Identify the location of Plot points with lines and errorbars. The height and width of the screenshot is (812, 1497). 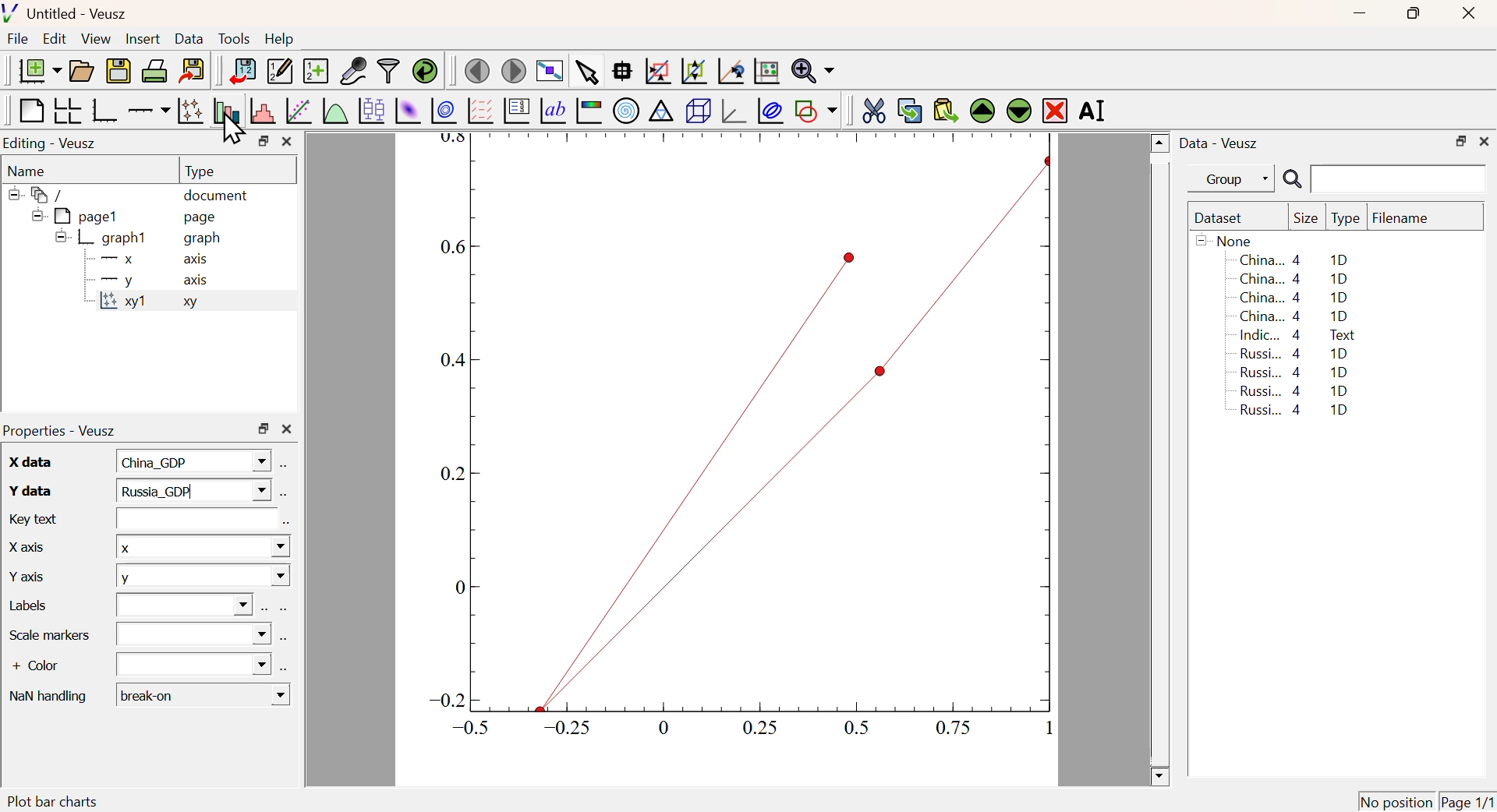
(192, 111).